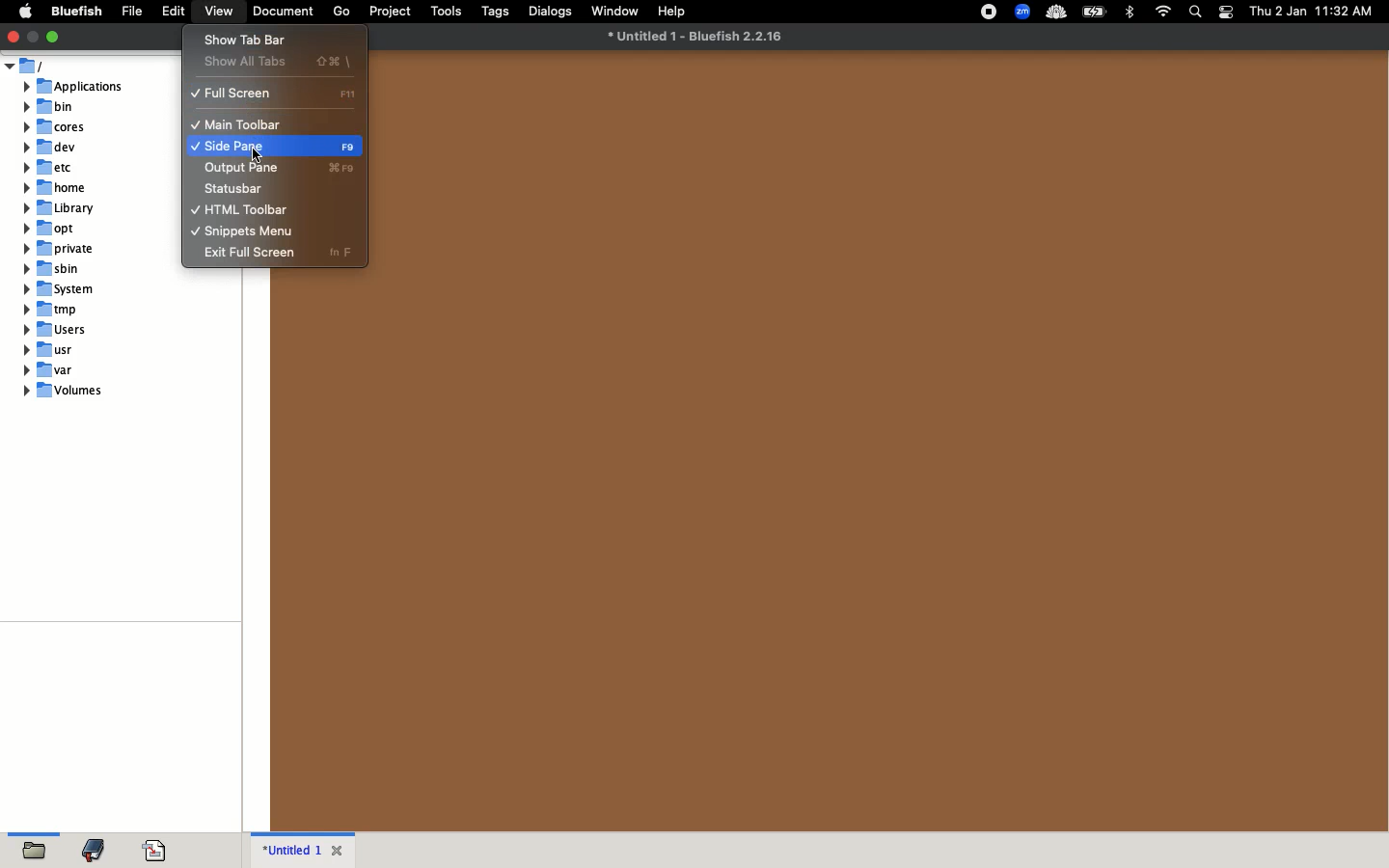 Image resolution: width=1389 pixels, height=868 pixels. What do you see at coordinates (879, 38) in the screenshot?
I see `file name` at bounding box center [879, 38].